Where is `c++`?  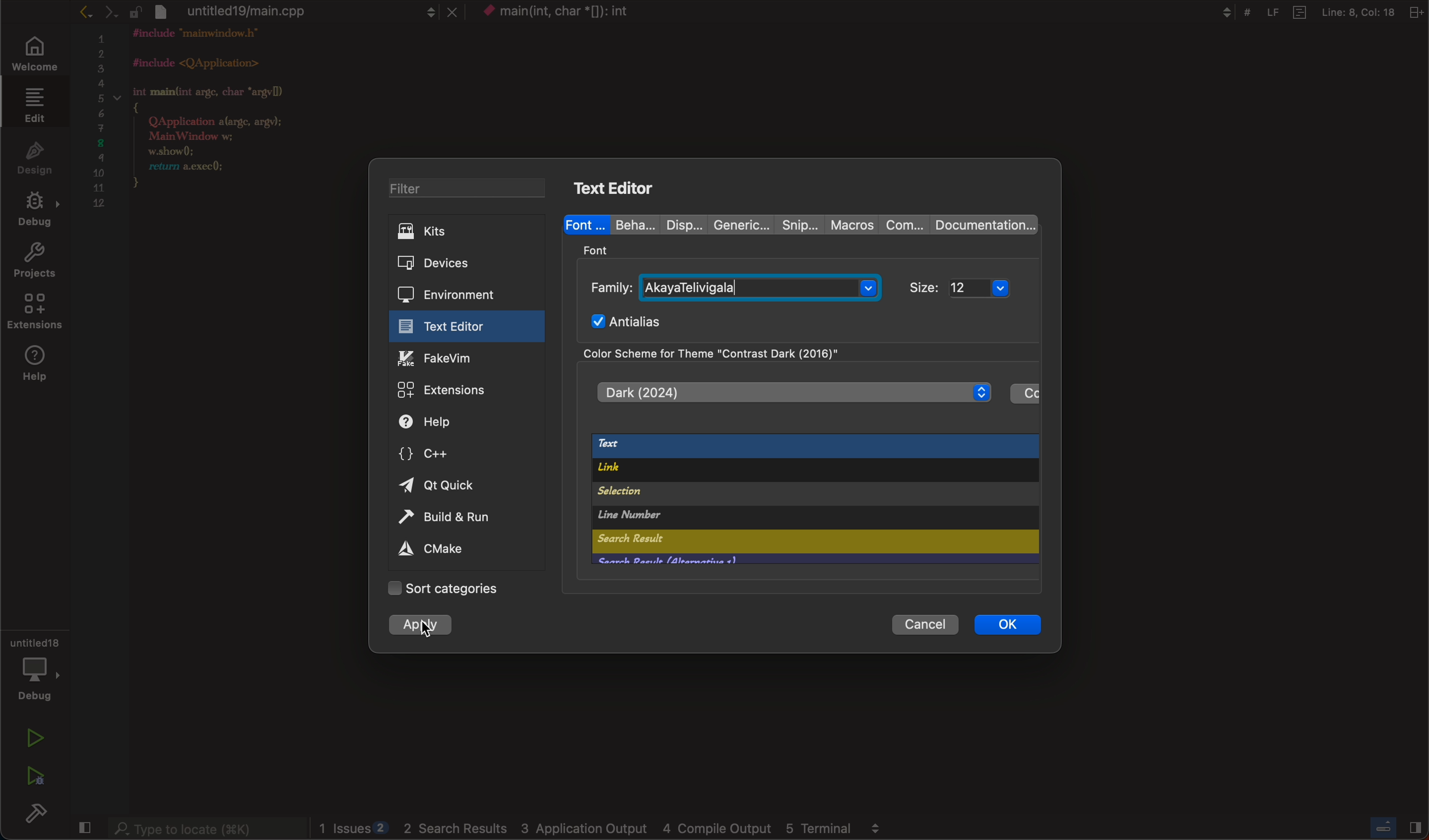 c++ is located at coordinates (442, 452).